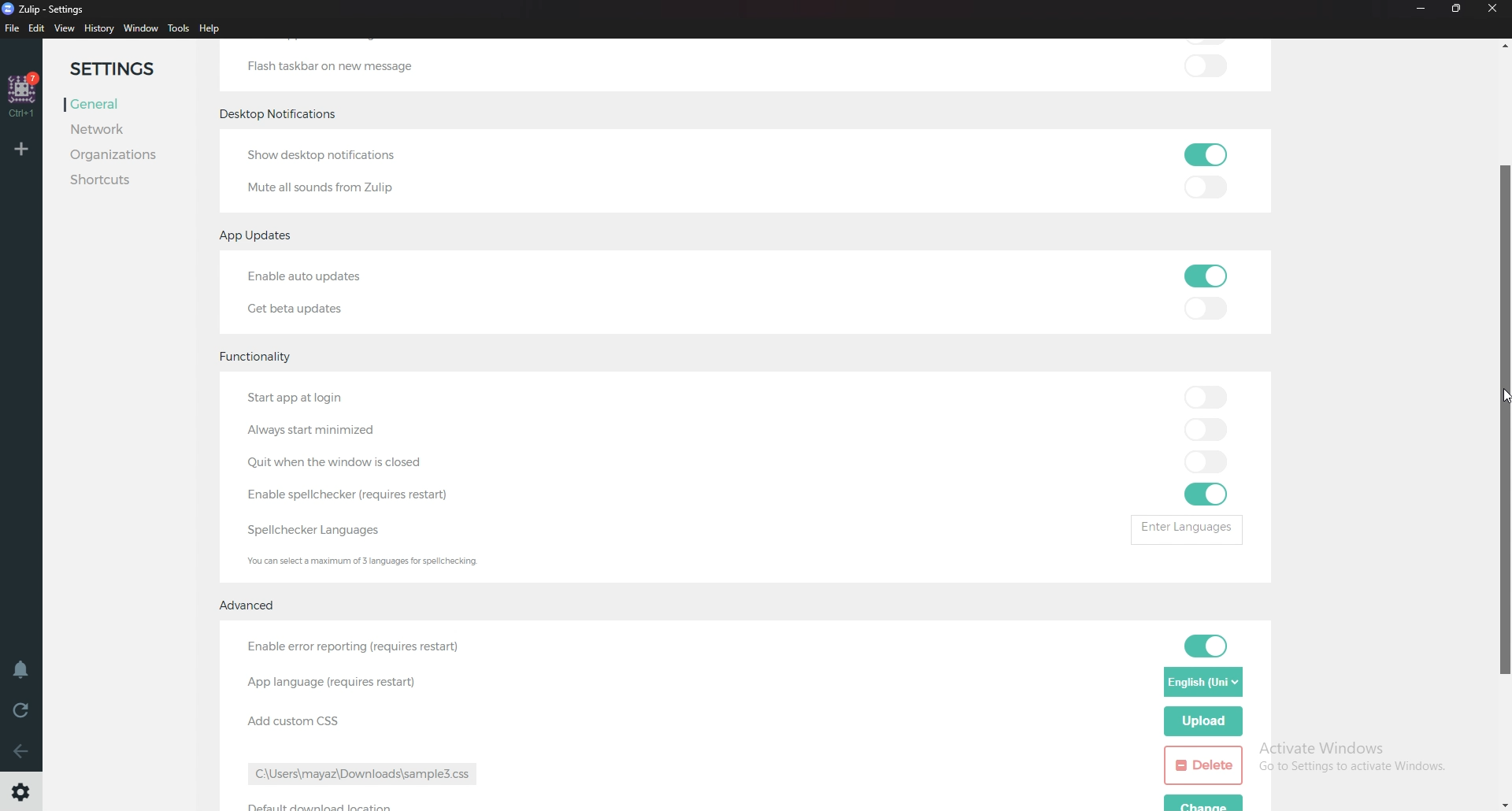  I want to click on Settings, so click(24, 790).